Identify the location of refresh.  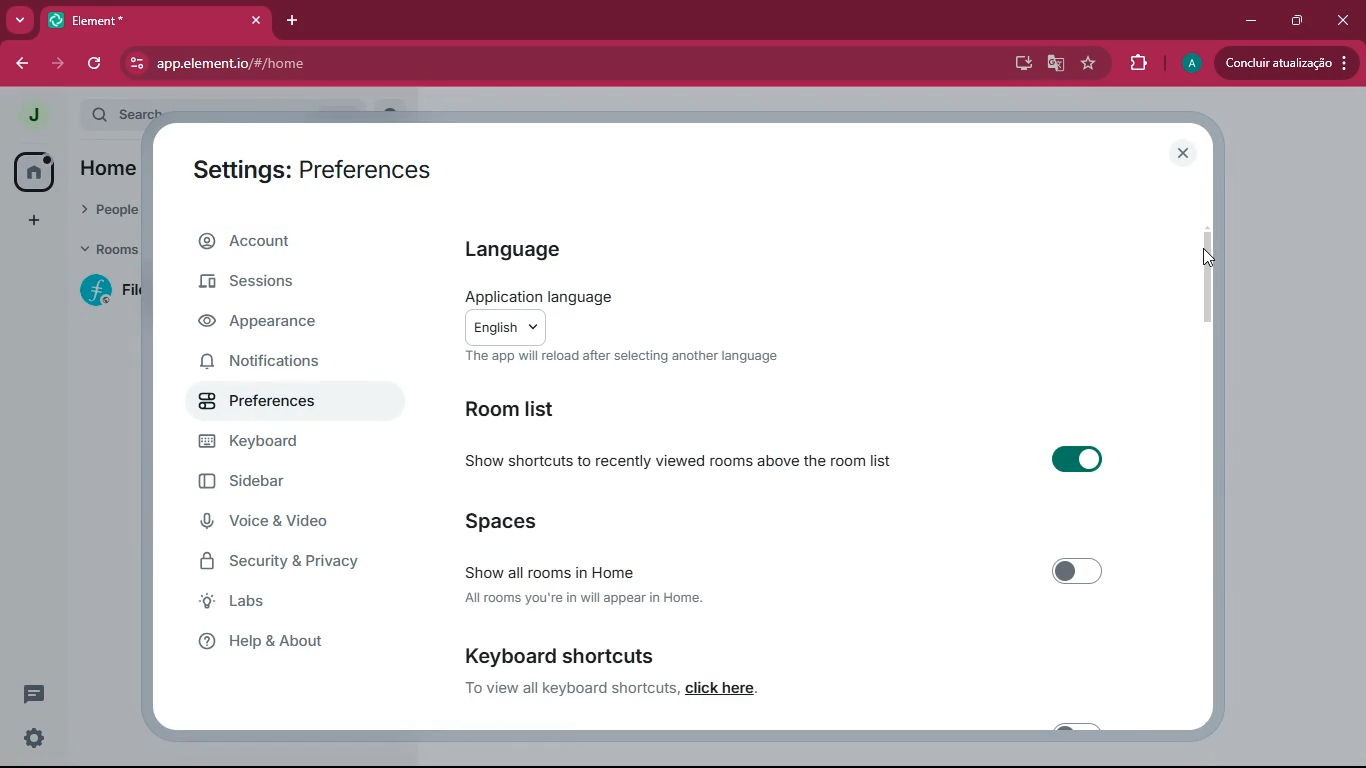
(96, 63).